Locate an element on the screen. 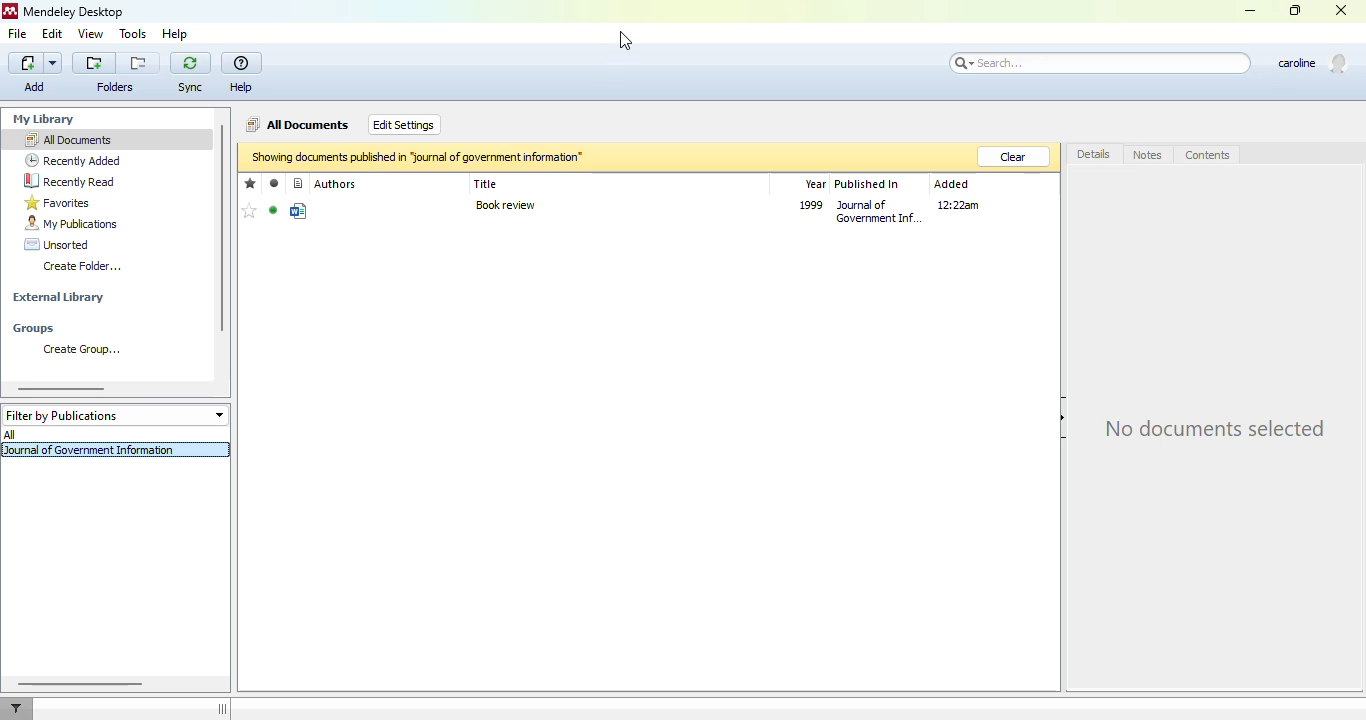 The height and width of the screenshot is (720, 1366). edit settings is located at coordinates (404, 124).